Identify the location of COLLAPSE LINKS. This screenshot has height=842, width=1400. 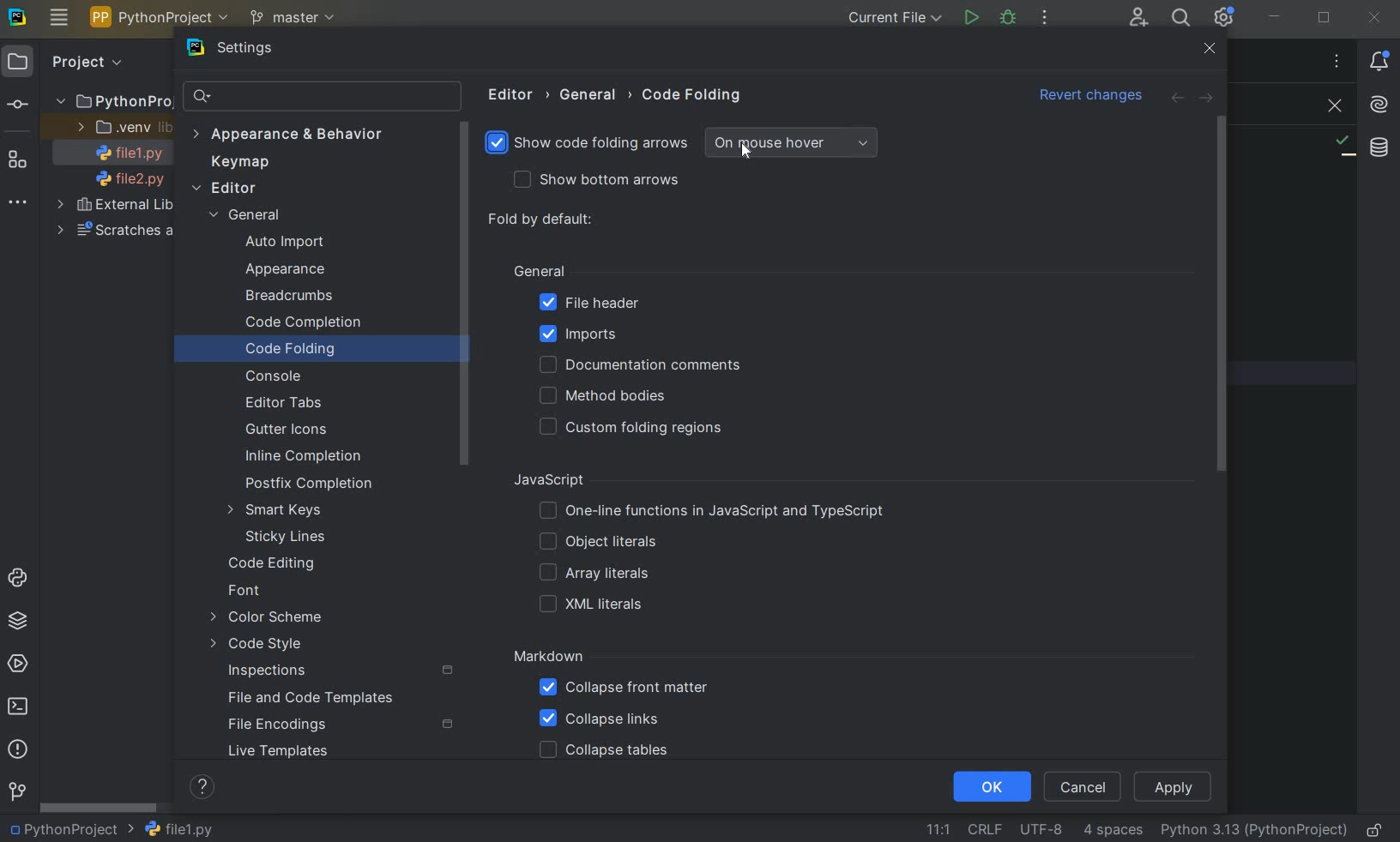
(600, 719).